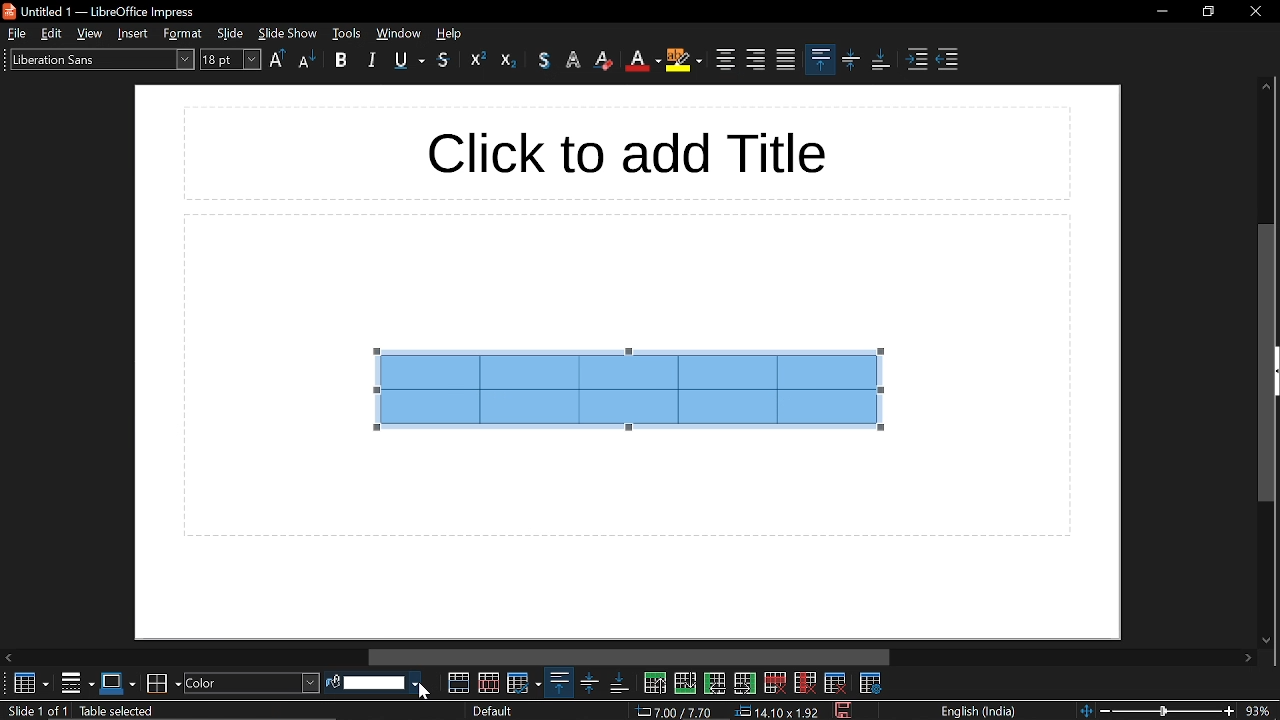 The height and width of the screenshot is (720, 1280). Describe the element at coordinates (1268, 638) in the screenshot. I see `move down` at that location.